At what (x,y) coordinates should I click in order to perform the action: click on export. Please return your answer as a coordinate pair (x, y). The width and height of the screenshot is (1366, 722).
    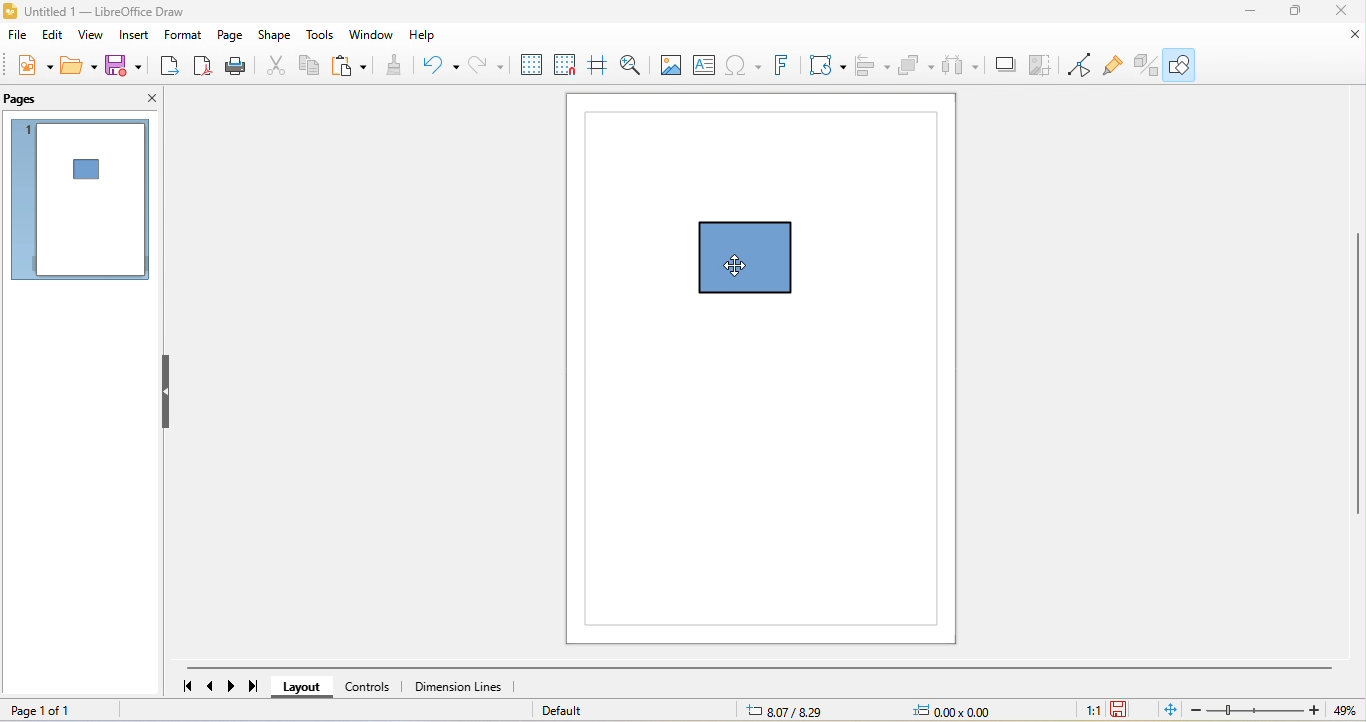
    Looking at the image, I should click on (169, 68).